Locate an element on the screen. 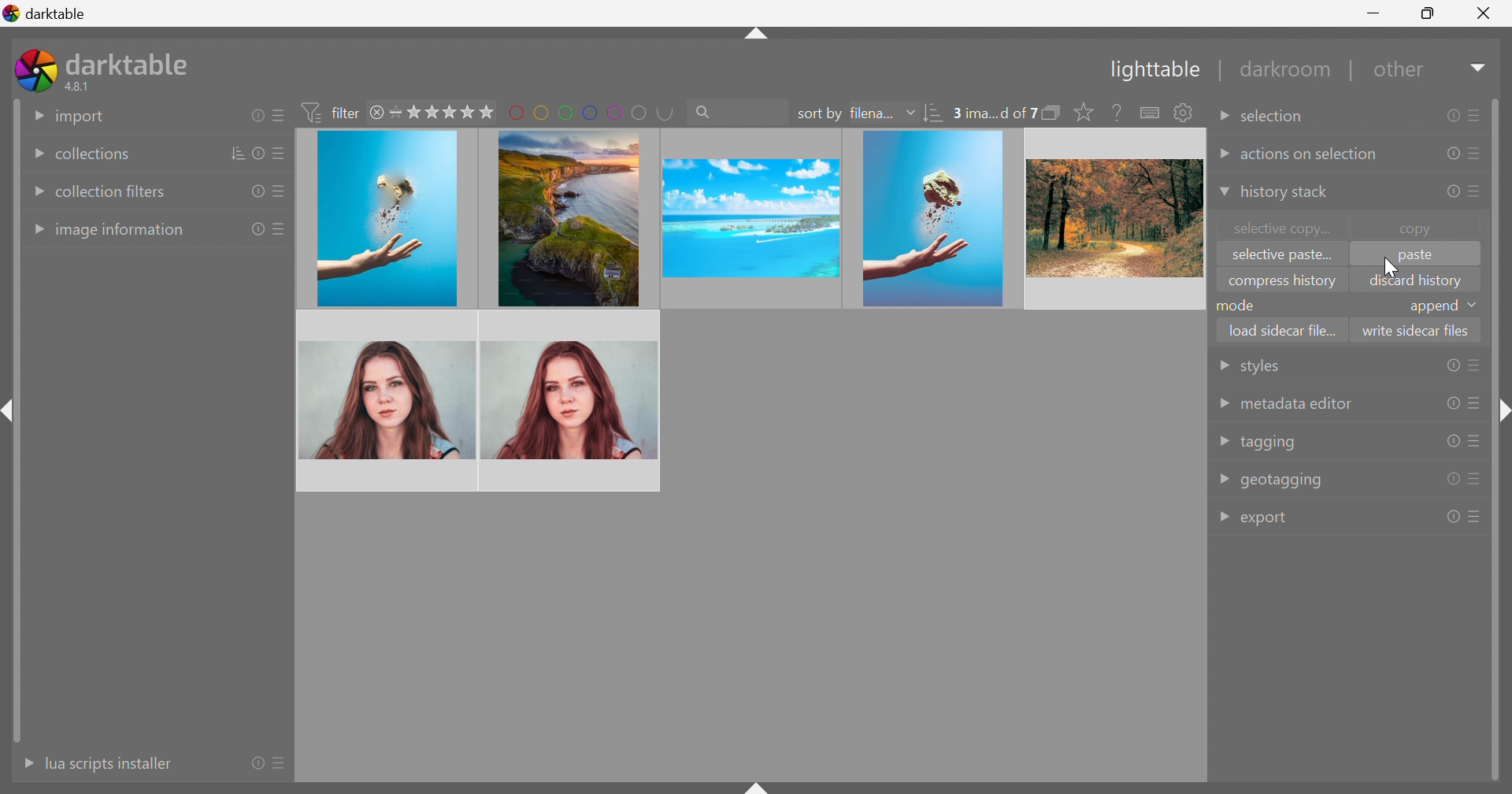 This screenshot has width=1512, height=794. darktable is located at coordinates (131, 61).